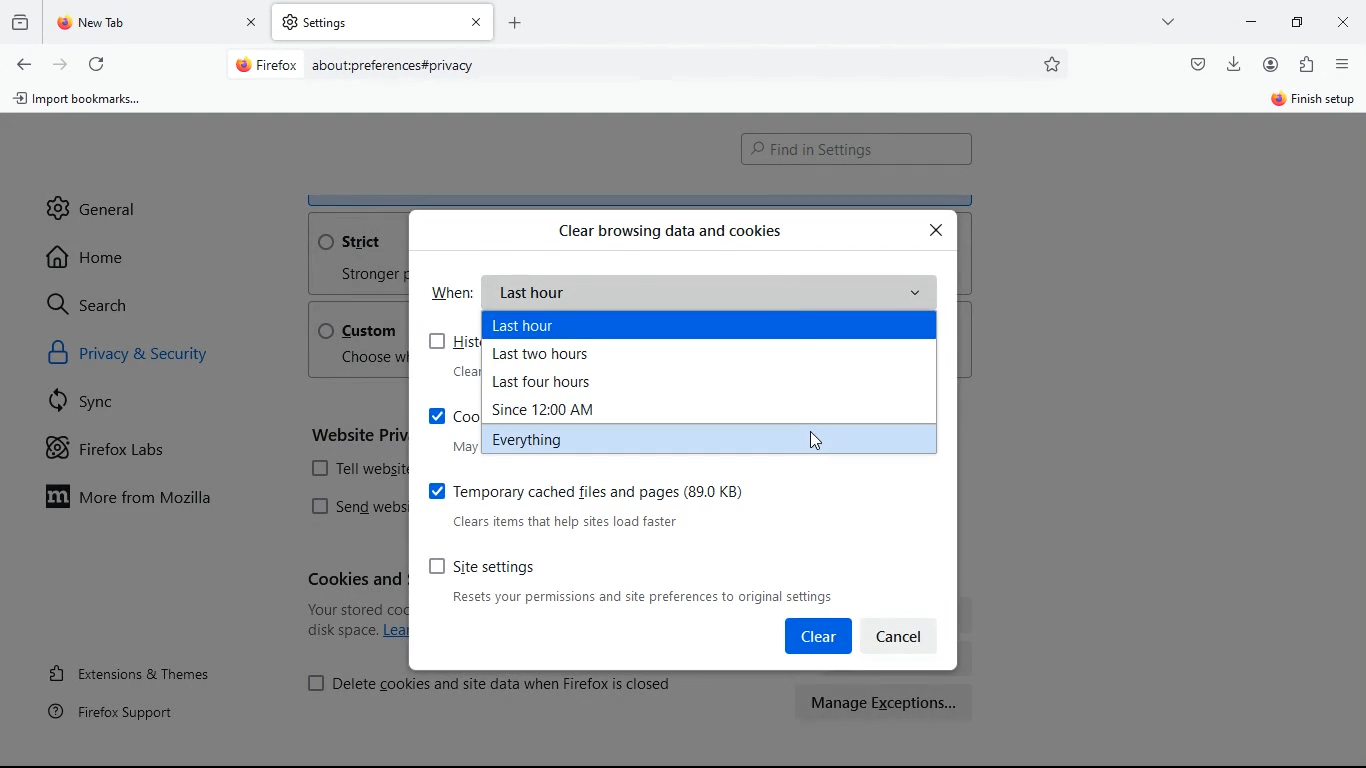 The image size is (1366, 768). I want to click on Add new Tab, so click(515, 22).